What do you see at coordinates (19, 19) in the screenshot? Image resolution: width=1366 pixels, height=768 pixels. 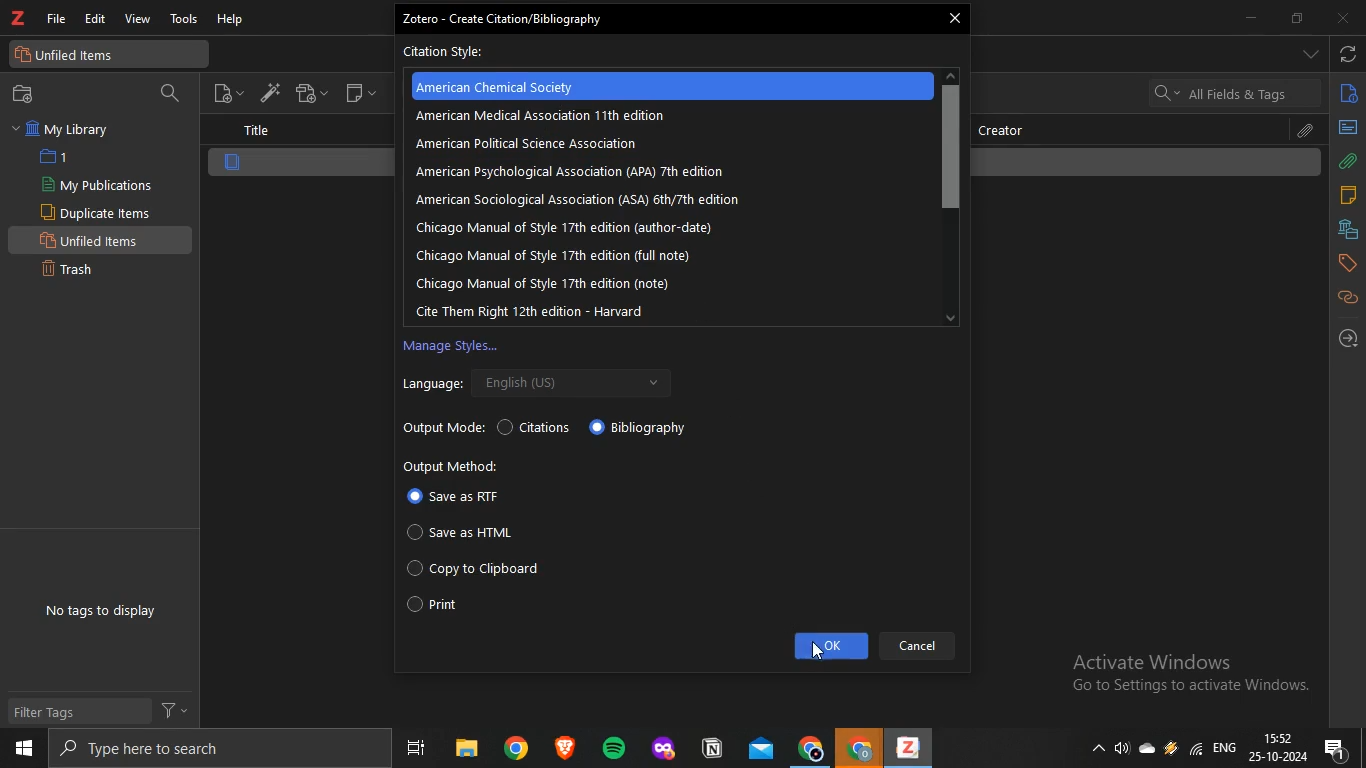 I see `zotero` at bounding box center [19, 19].